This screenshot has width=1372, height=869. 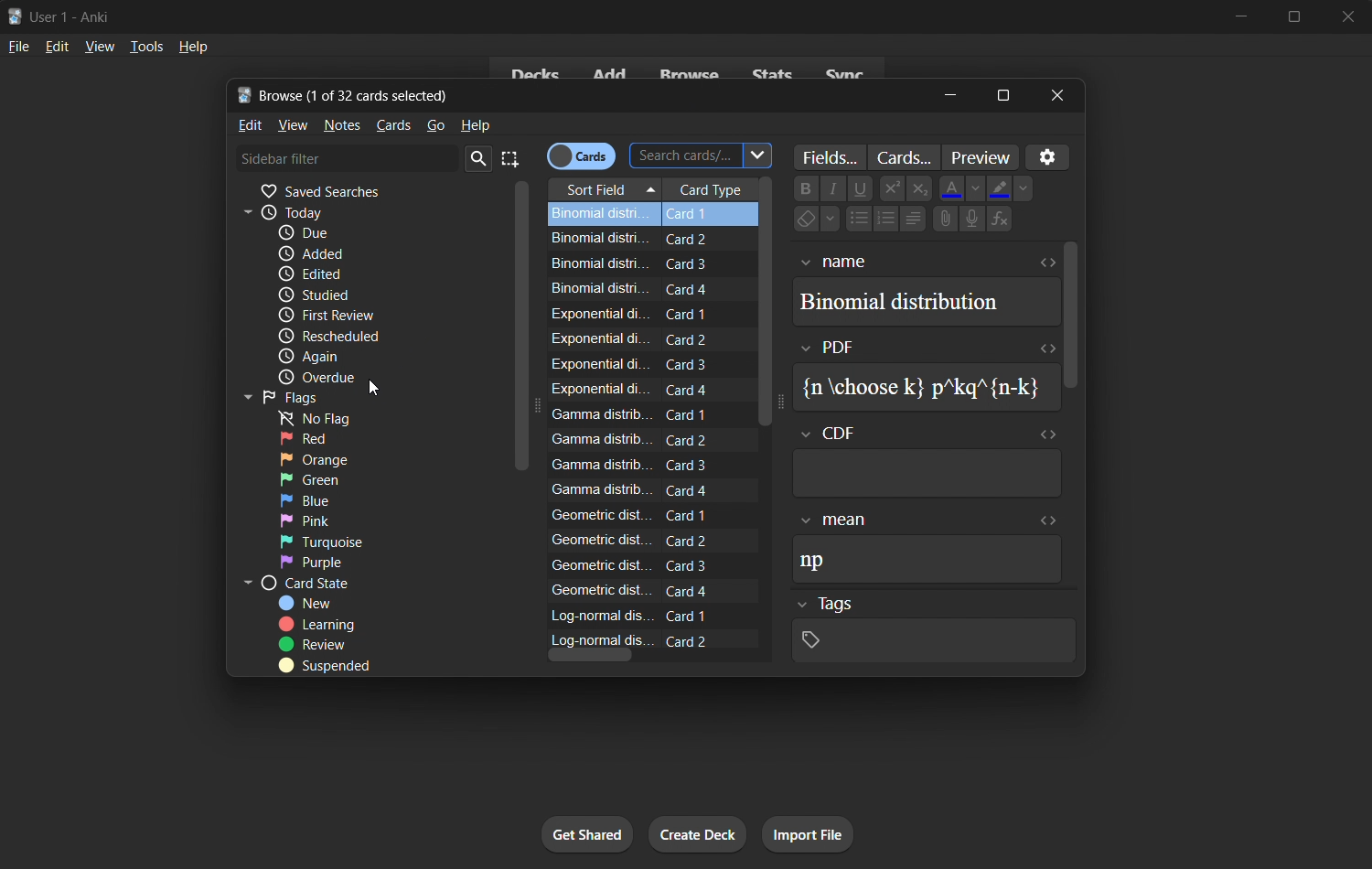 What do you see at coordinates (845, 70) in the screenshot?
I see `sync` at bounding box center [845, 70].